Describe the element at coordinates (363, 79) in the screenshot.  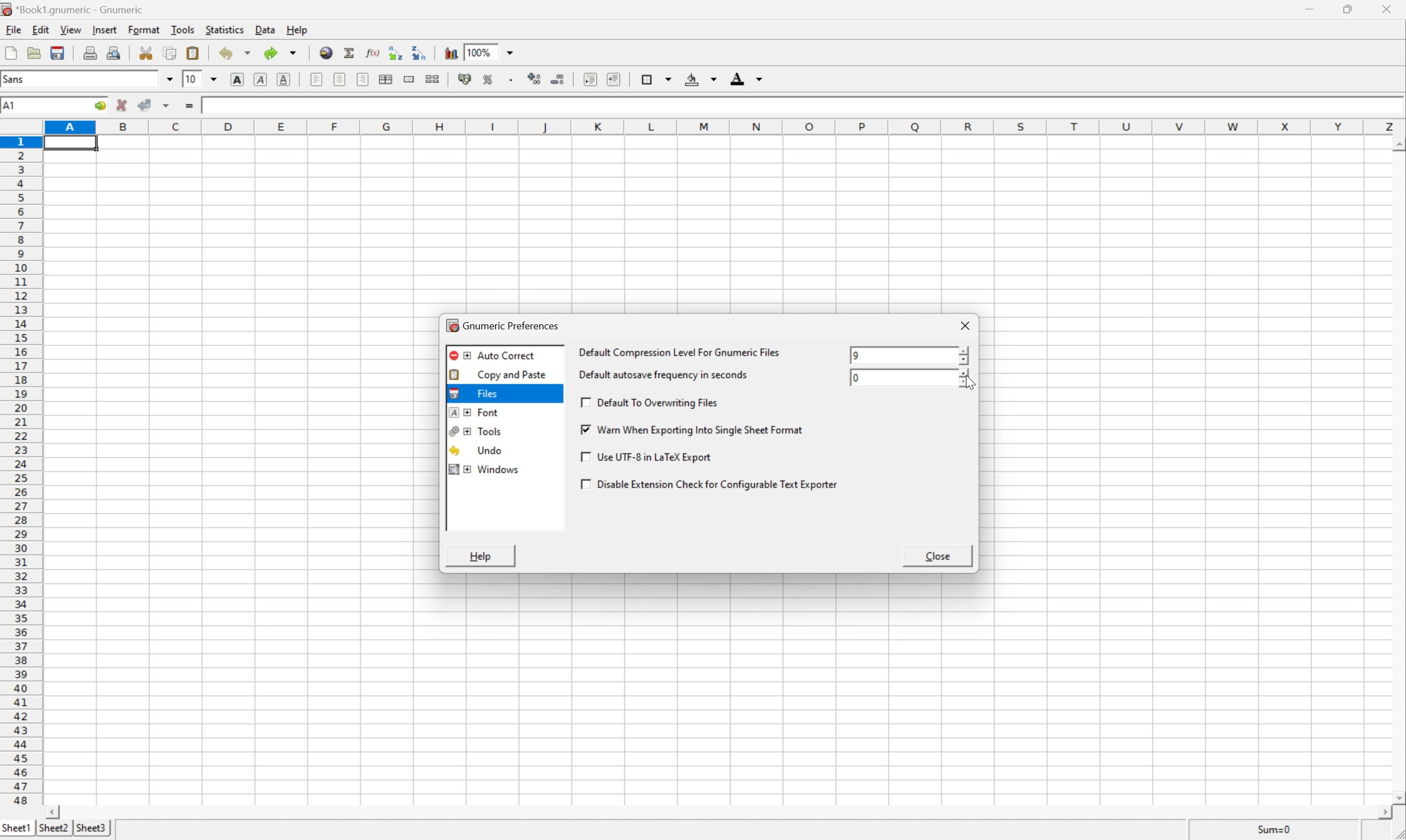
I see `Align right` at that location.